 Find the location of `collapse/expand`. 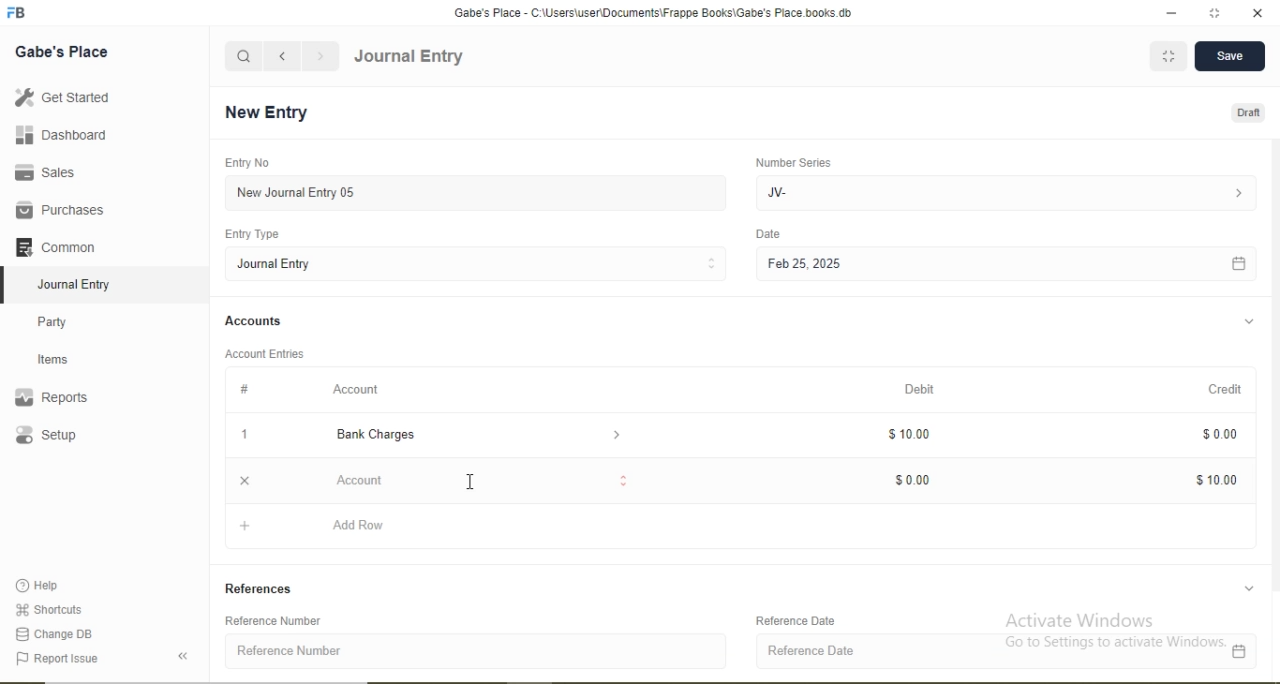

collapse/expand is located at coordinates (1249, 322).